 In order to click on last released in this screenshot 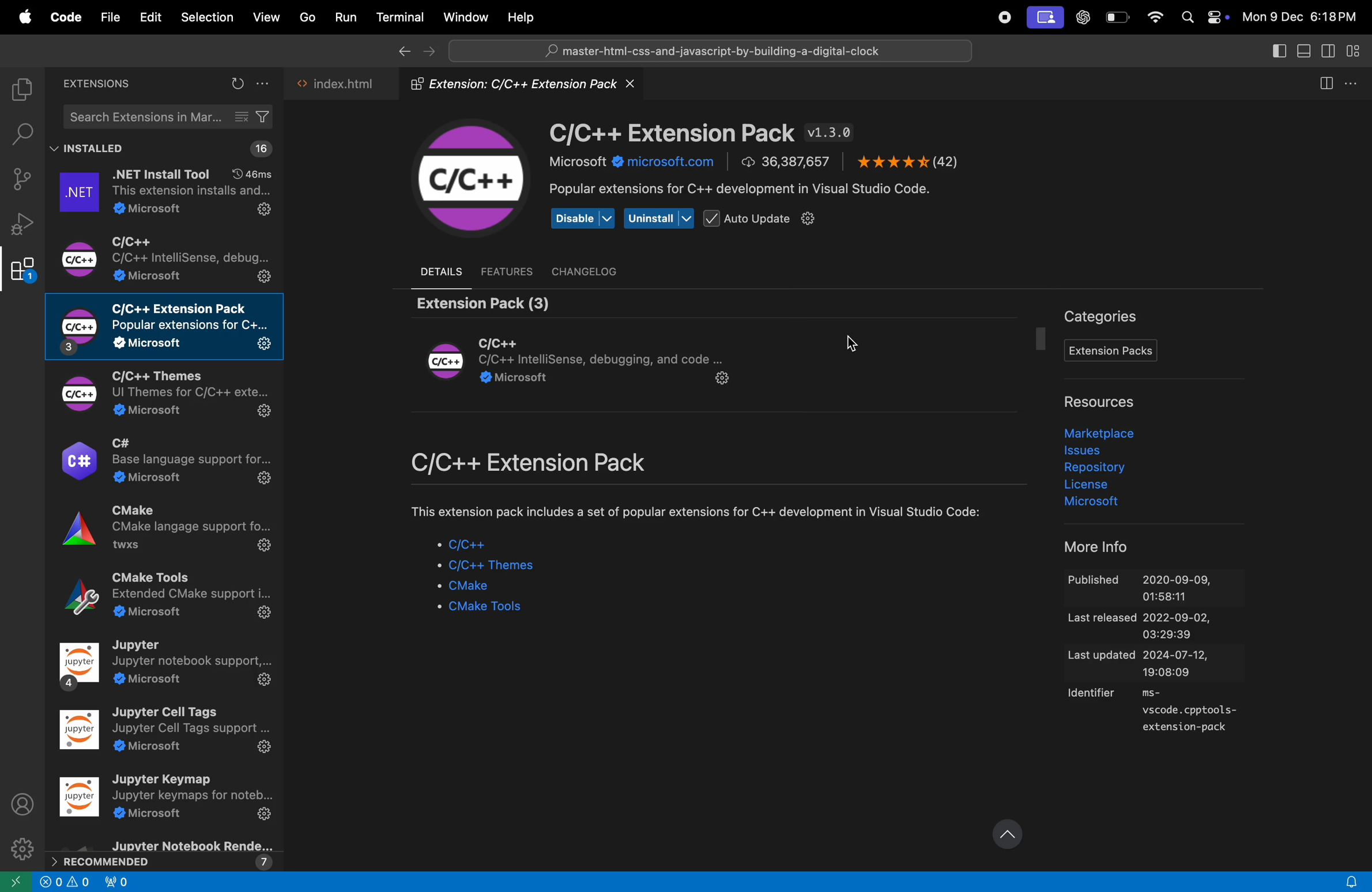, I will do `click(1160, 627)`.